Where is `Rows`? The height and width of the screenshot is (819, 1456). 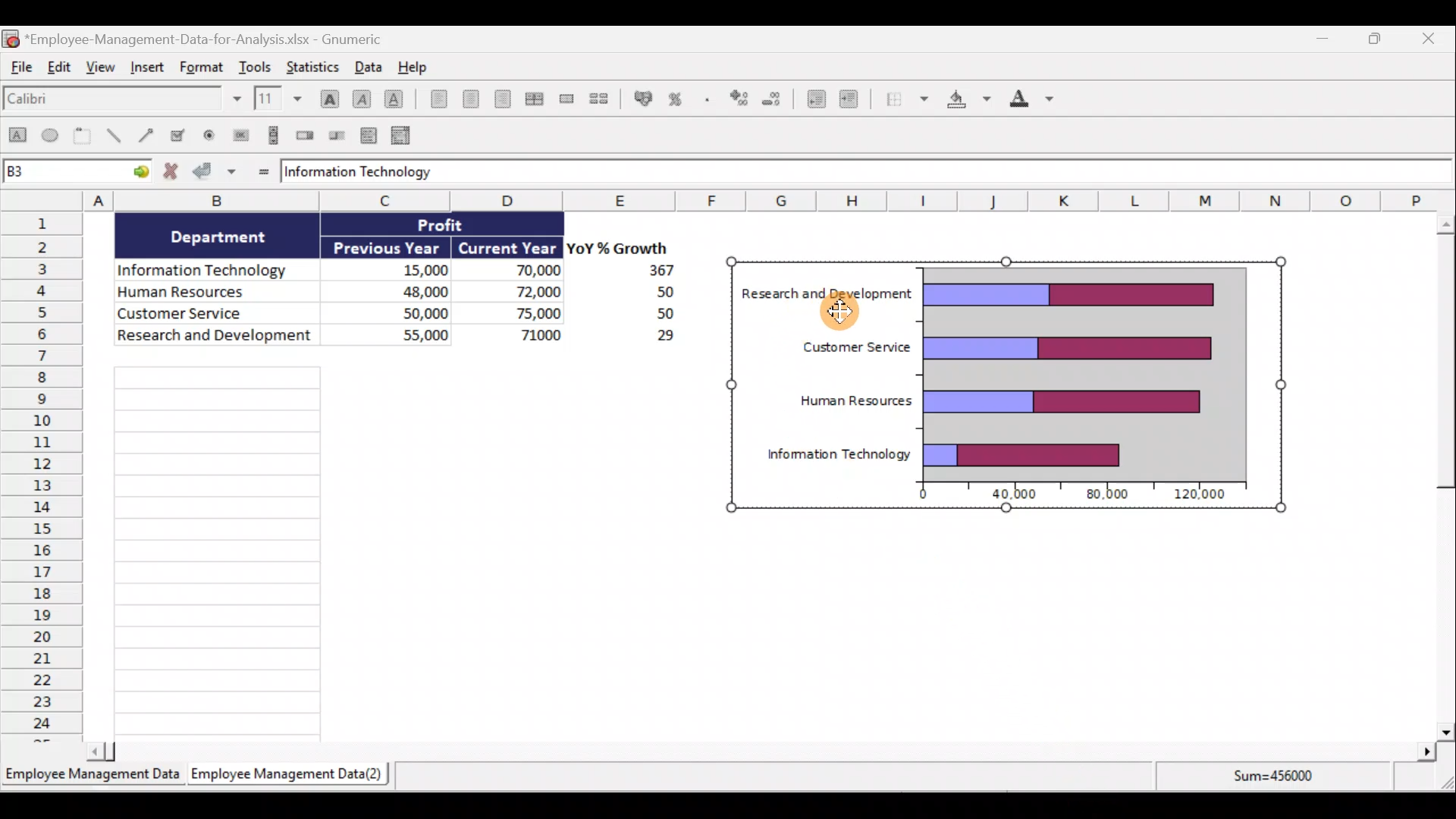
Rows is located at coordinates (42, 475).